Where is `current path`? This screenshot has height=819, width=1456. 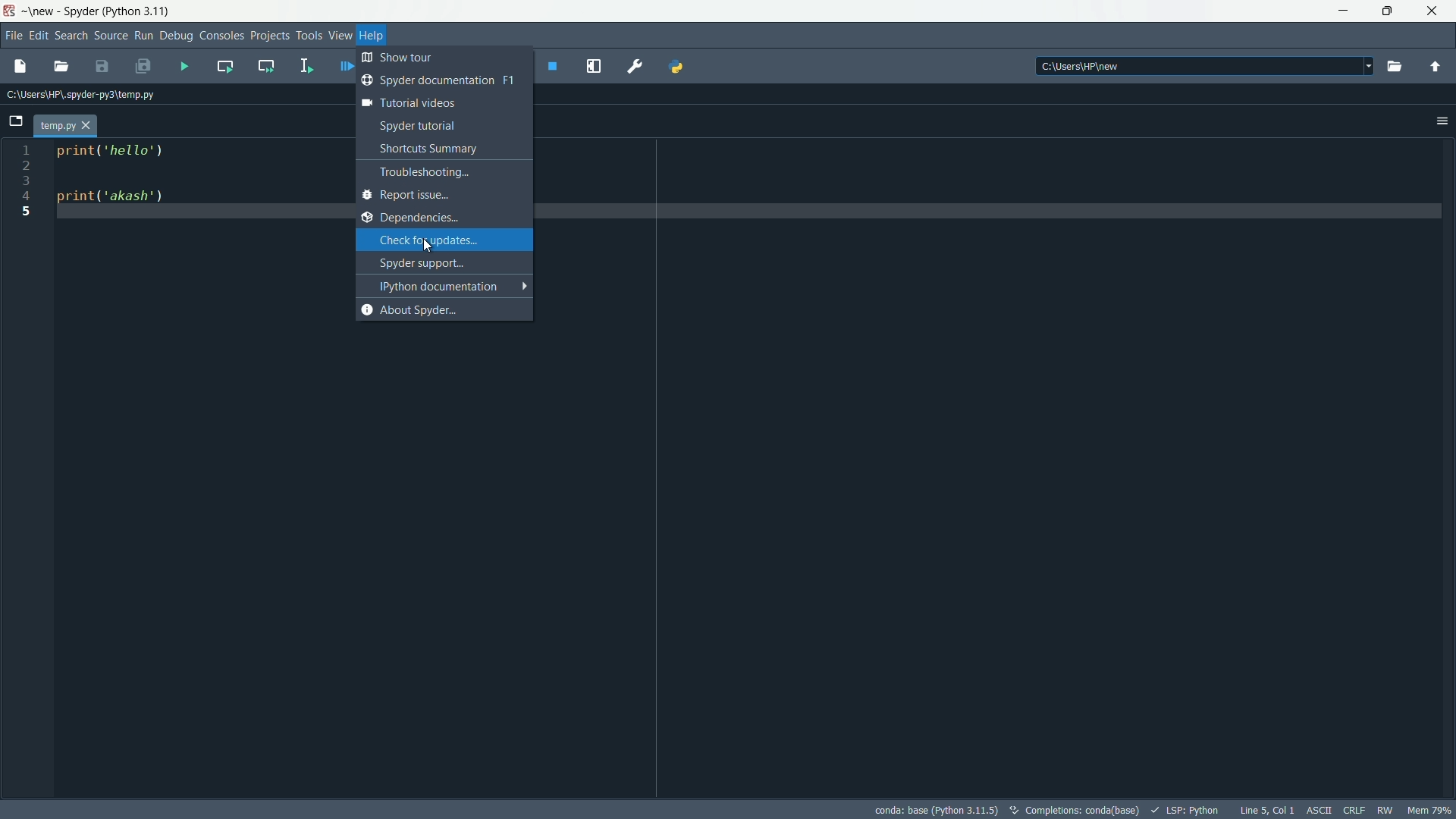
current path is located at coordinates (78, 92).